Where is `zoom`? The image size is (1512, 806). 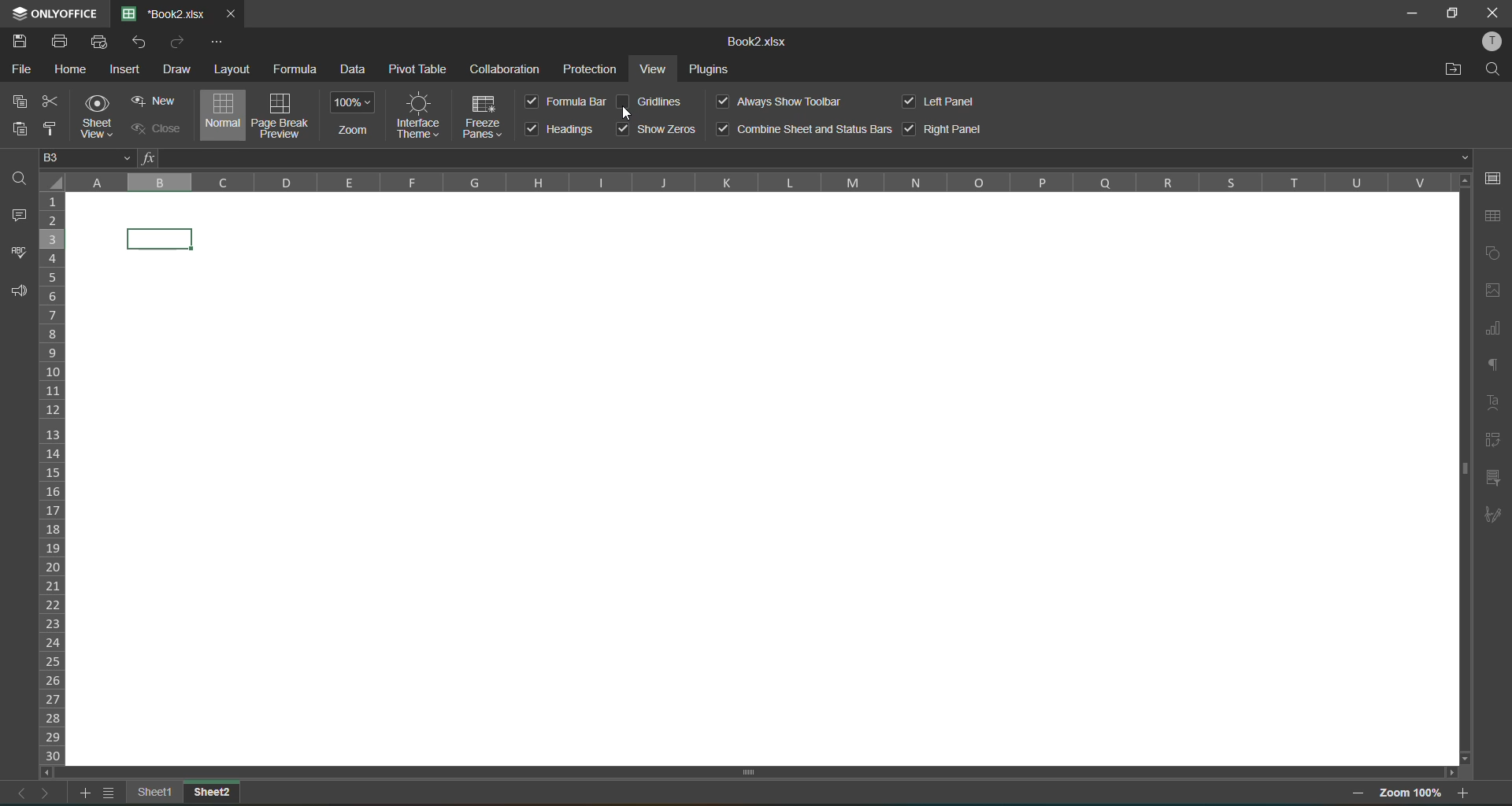
zoom is located at coordinates (354, 115).